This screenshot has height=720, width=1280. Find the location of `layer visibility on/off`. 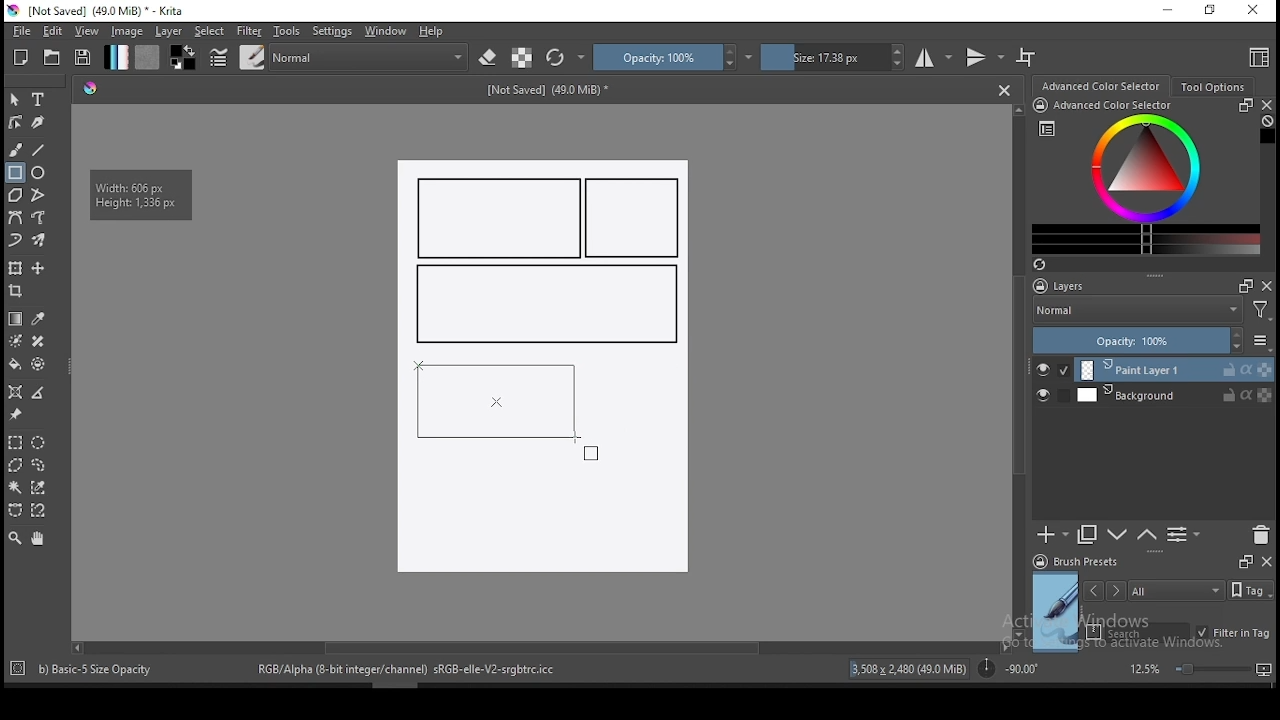

layer visibility on/off is located at coordinates (1053, 370).